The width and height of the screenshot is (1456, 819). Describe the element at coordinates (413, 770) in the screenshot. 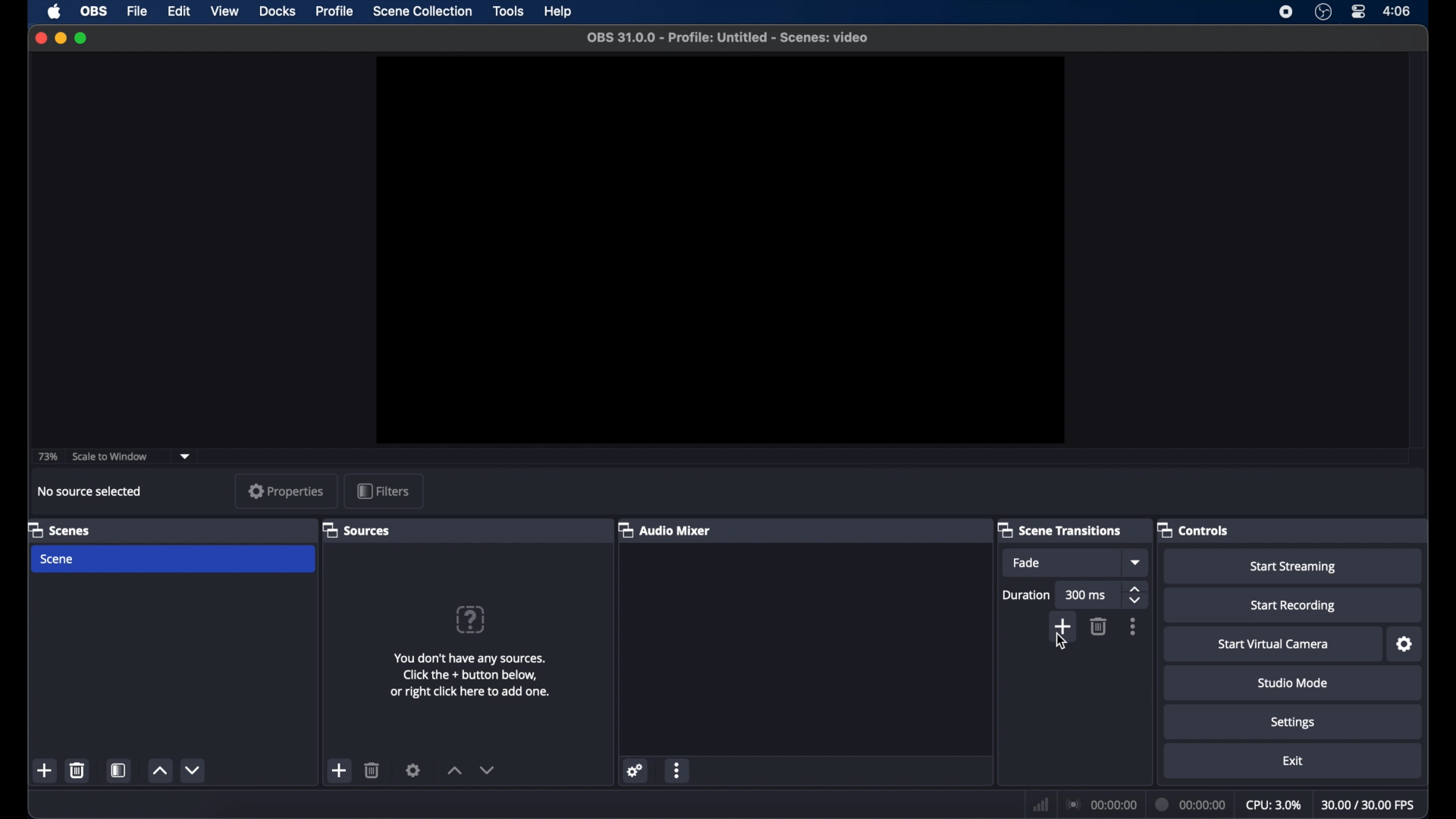

I see `settings` at that location.